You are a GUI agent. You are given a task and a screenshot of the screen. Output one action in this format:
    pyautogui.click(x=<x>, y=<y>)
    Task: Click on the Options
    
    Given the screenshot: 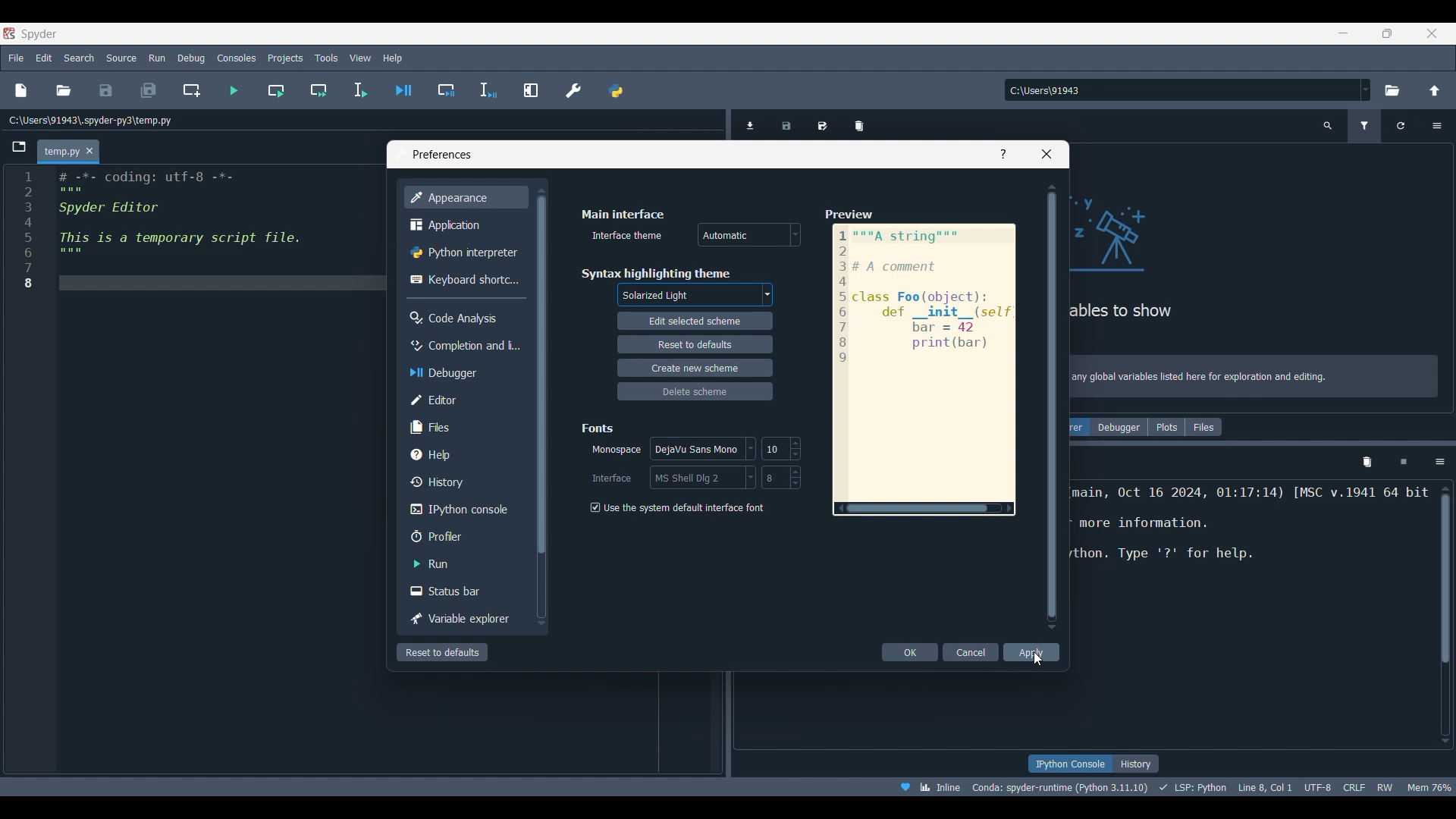 What is the action you would take?
    pyautogui.click(x=1436, y=126)
    